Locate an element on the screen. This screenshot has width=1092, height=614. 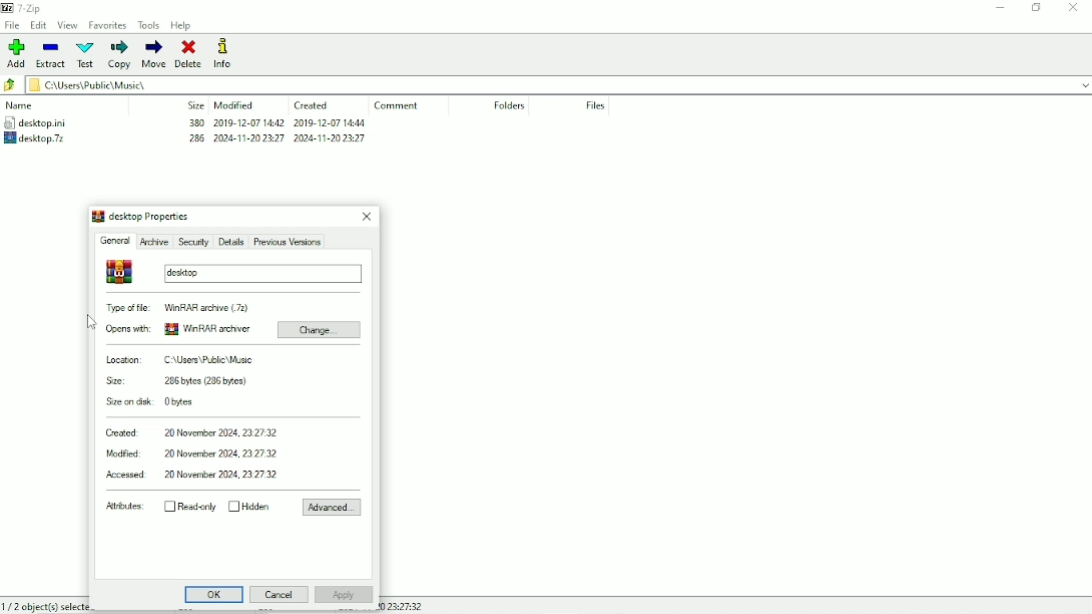
modified date & time is located at coordinates (250, 138).